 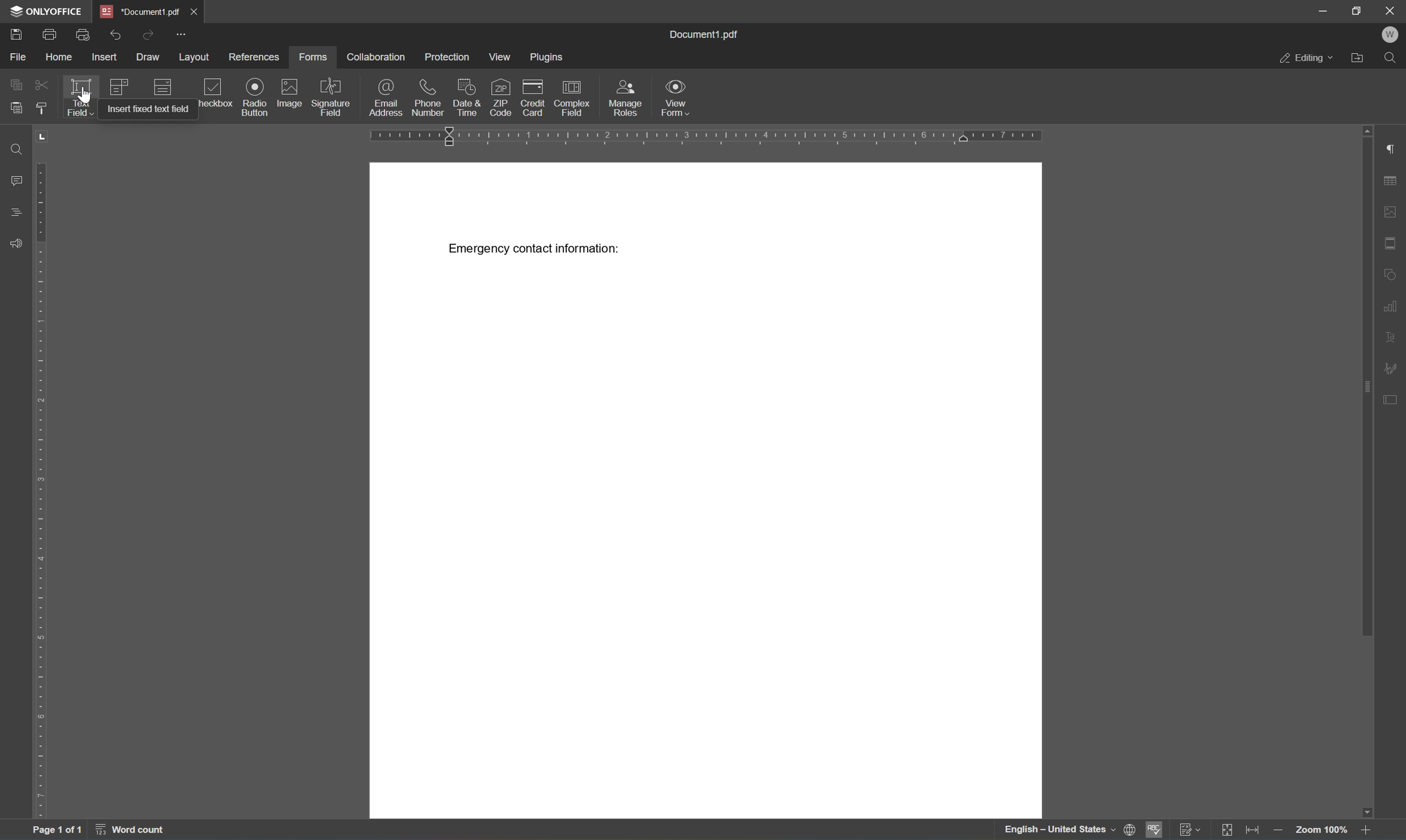 I want to click on scroll down, so click(x=1369, y=809).